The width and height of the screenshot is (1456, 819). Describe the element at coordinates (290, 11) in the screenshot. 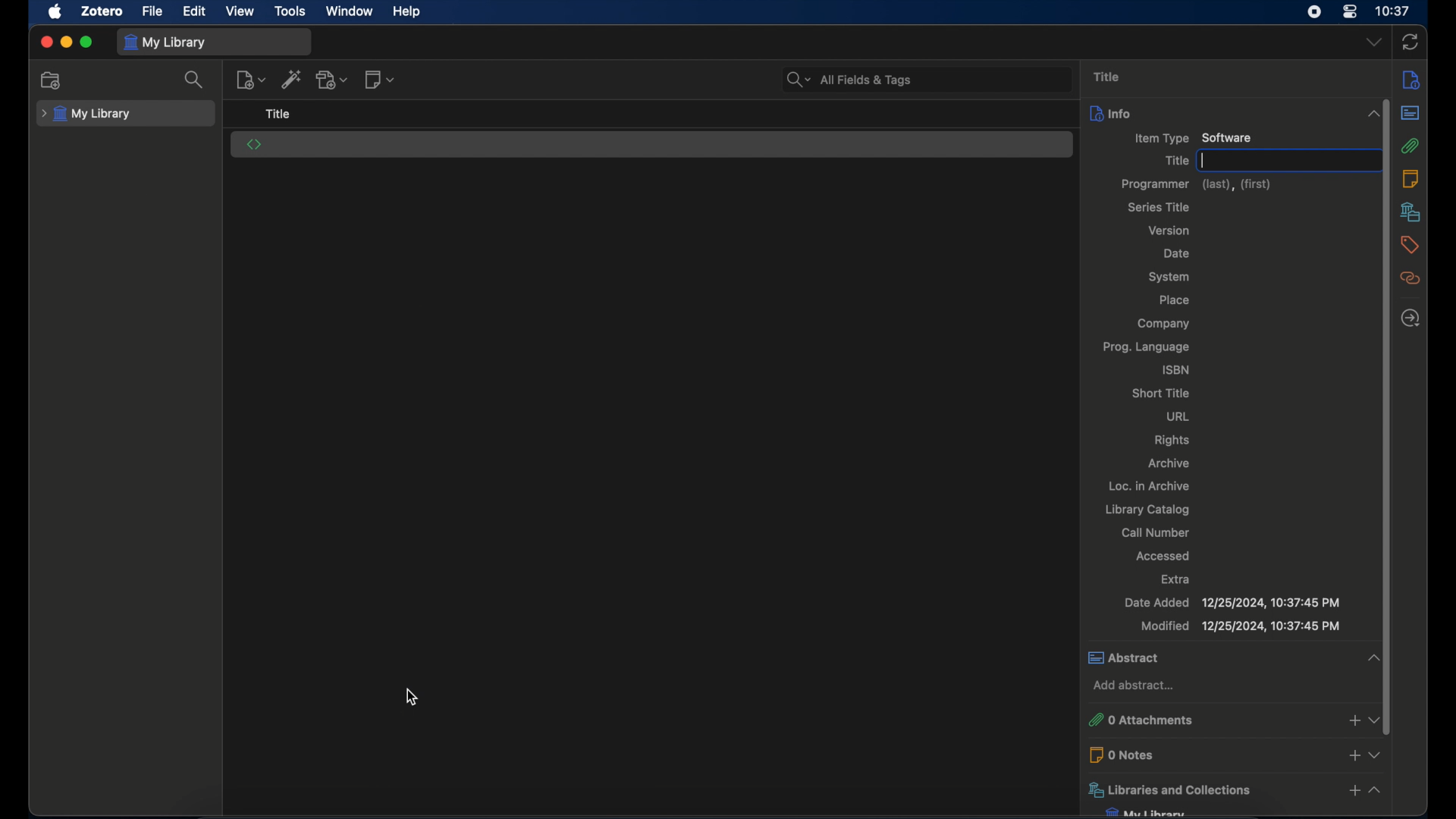

I see `tools` at that location.